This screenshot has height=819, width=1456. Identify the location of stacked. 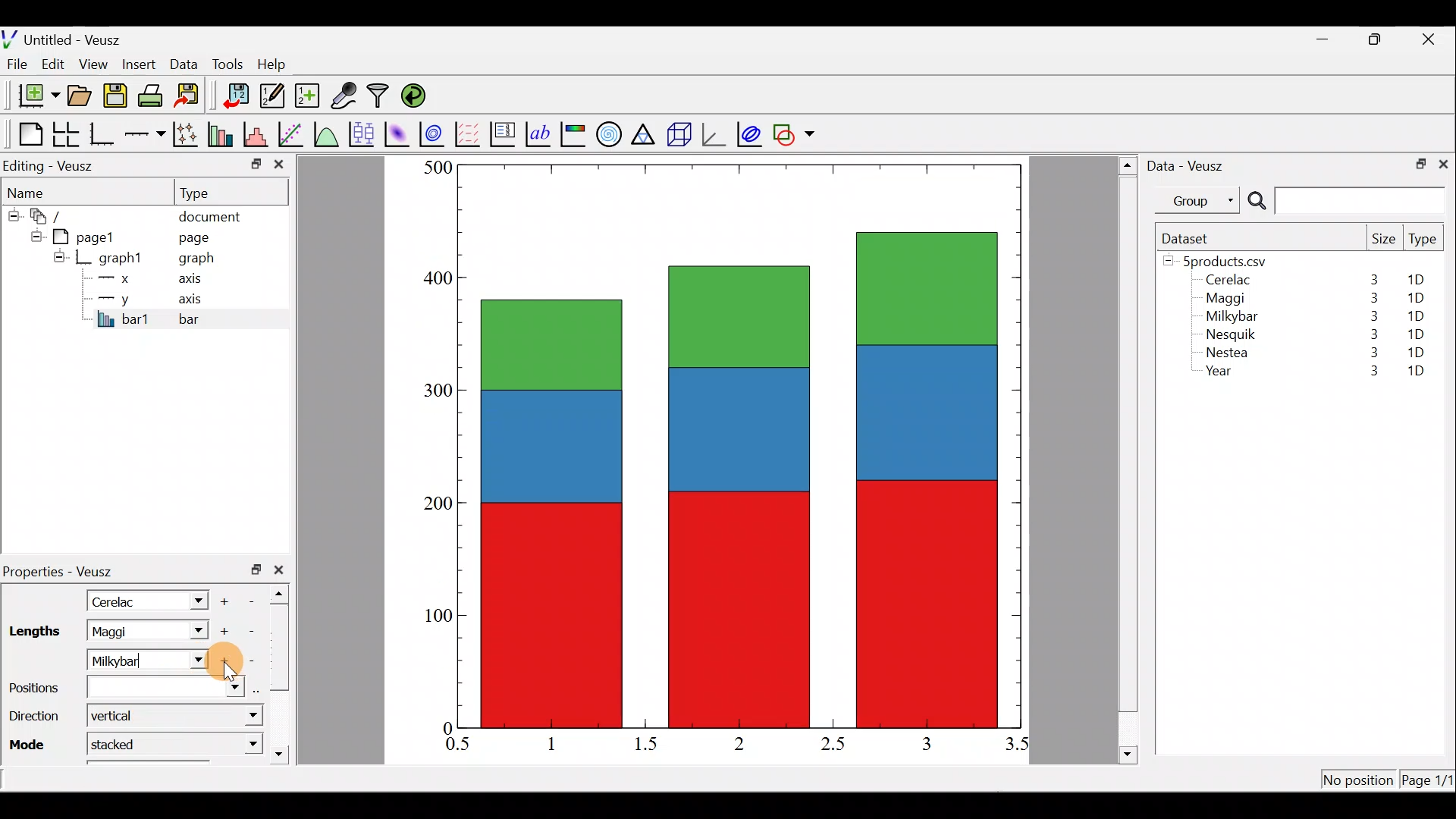
(124, 743).